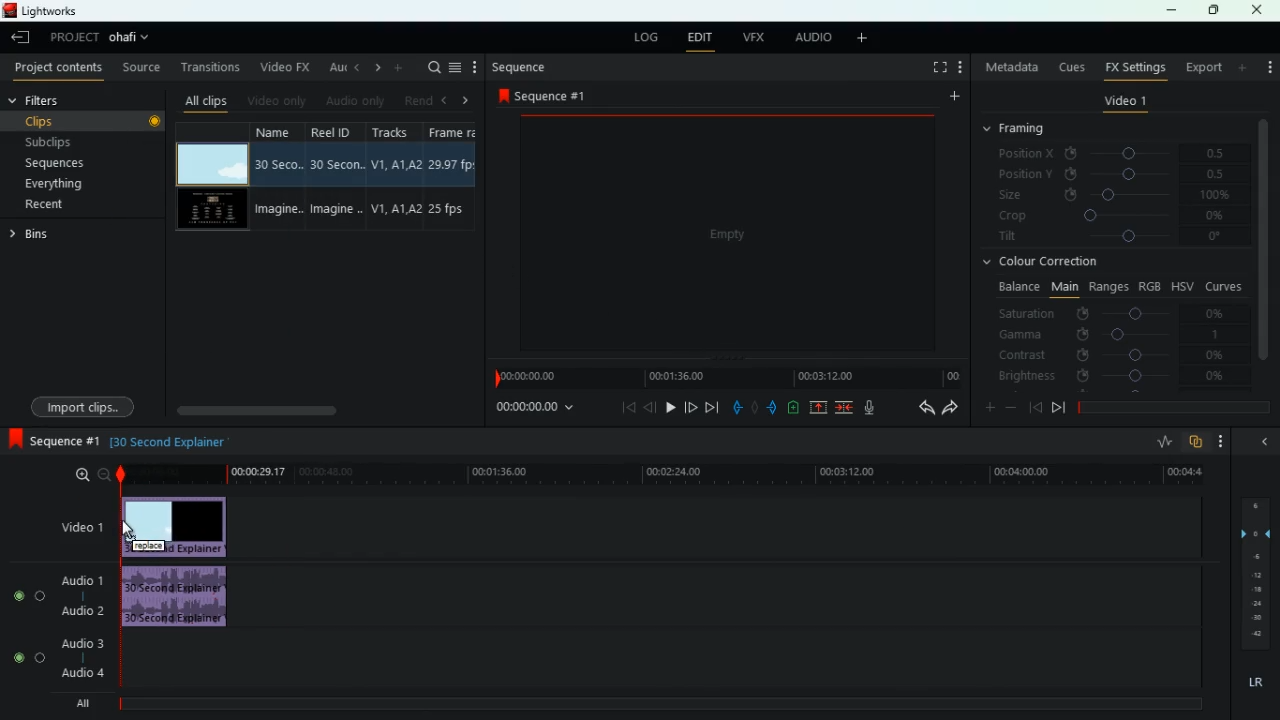  Describe the element at coordinates (1064, 285) in the screenshot. I see `main` at that location.